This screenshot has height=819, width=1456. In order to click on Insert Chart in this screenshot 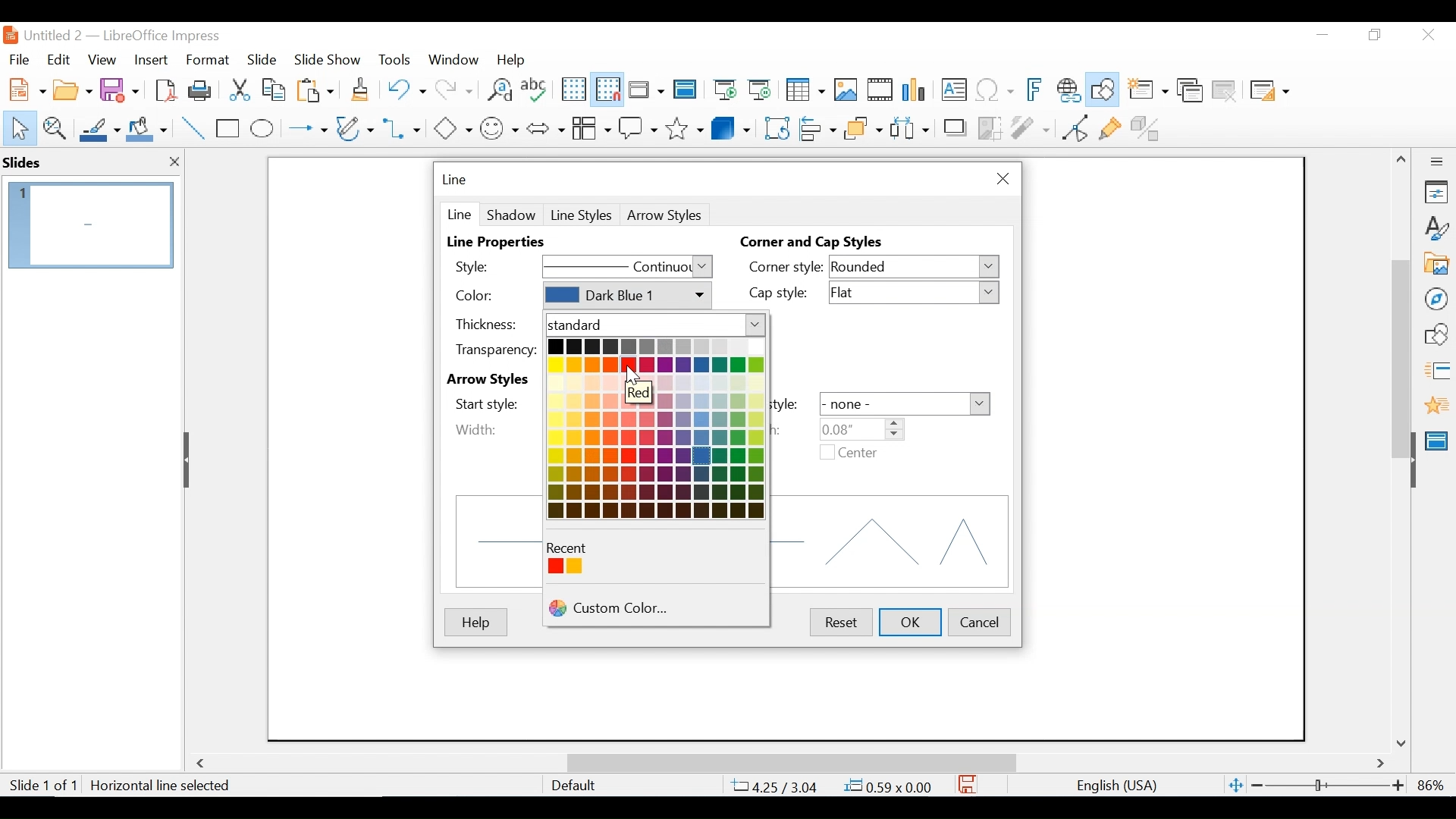, I will do `click(916, 91)`.